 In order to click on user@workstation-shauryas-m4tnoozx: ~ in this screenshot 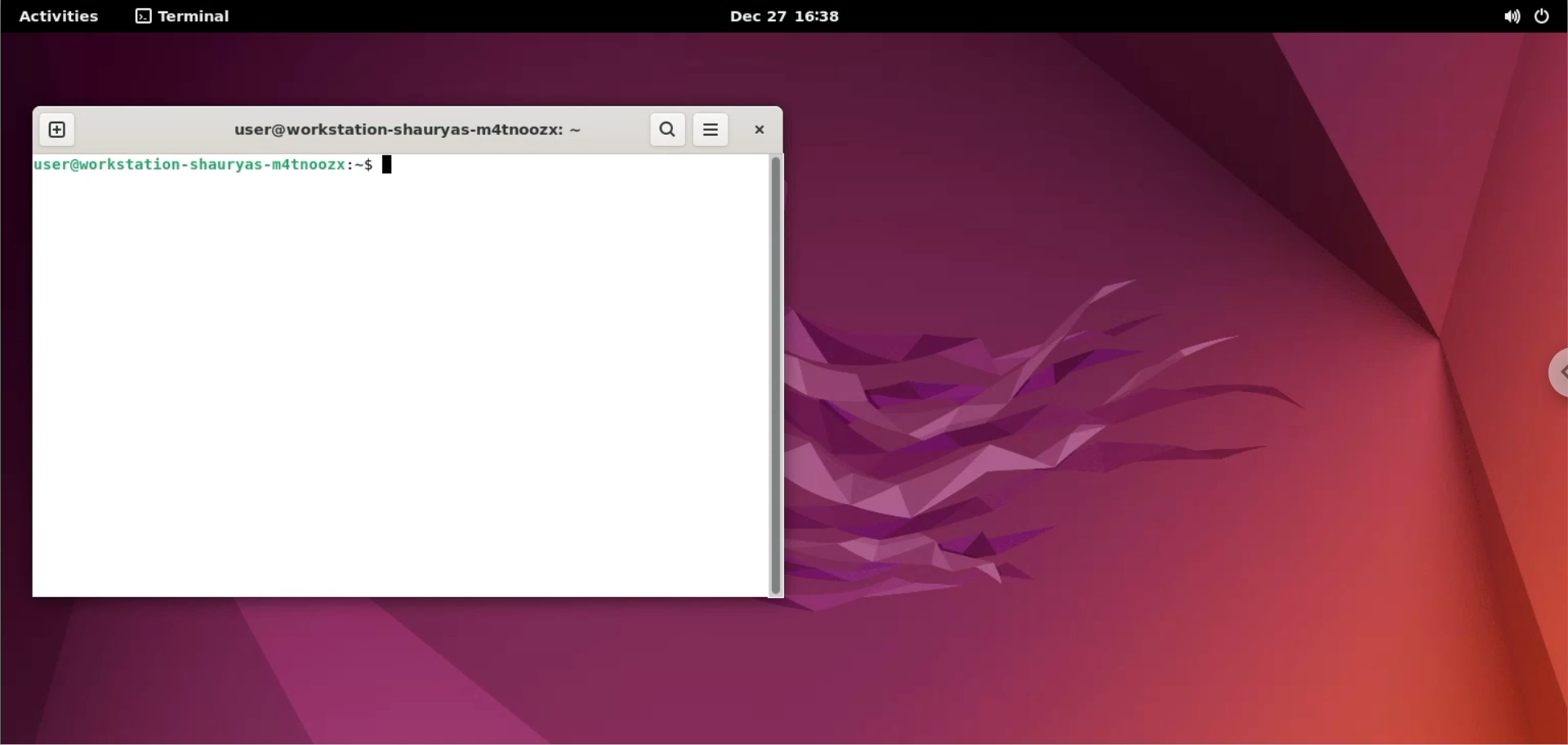, I will do `click(399, 133)`.